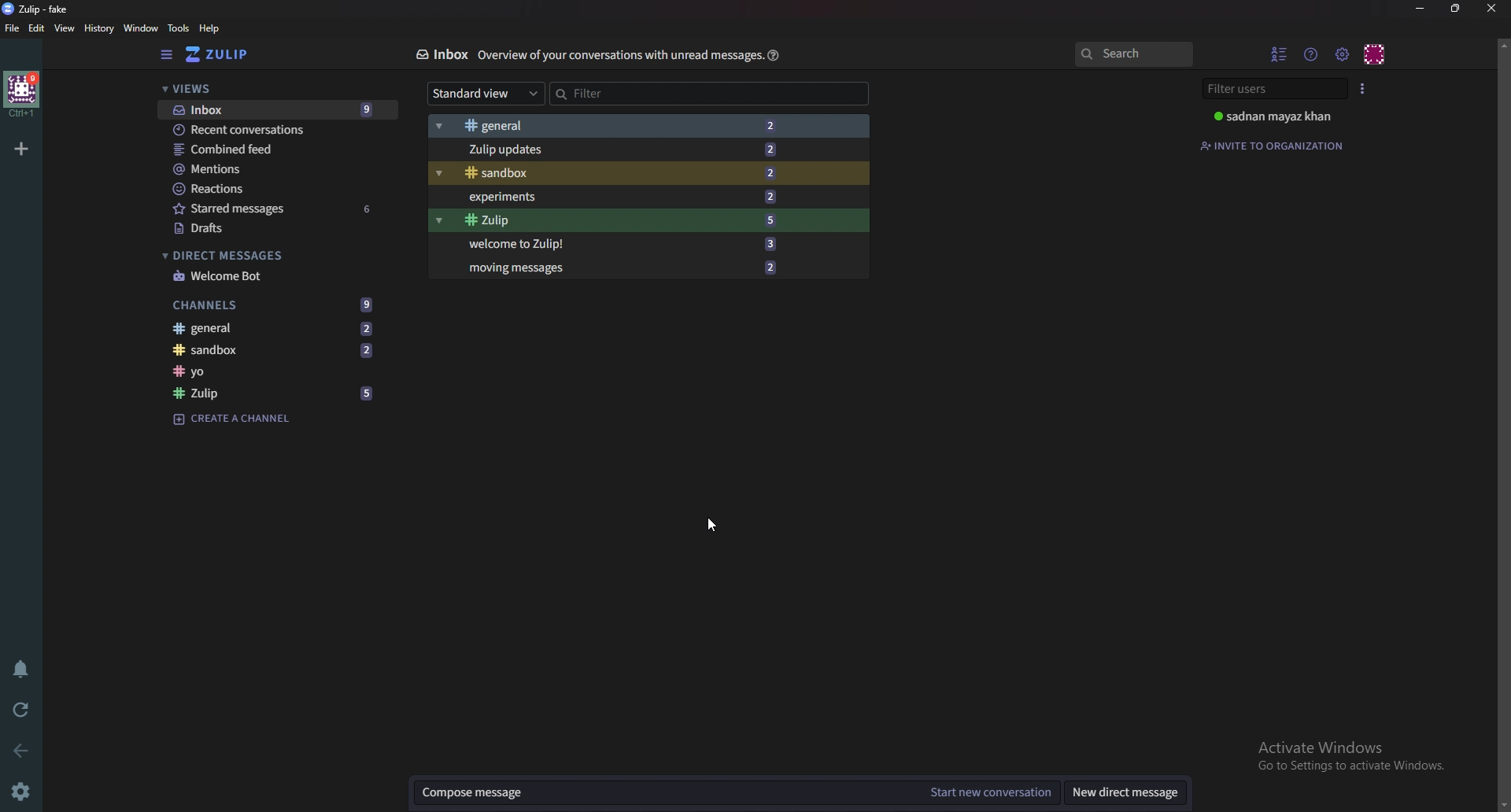 The image size is (1511, 812). Describe the element at coordinates (270, 395) in the screenshot. I see `Zulip` at that location.